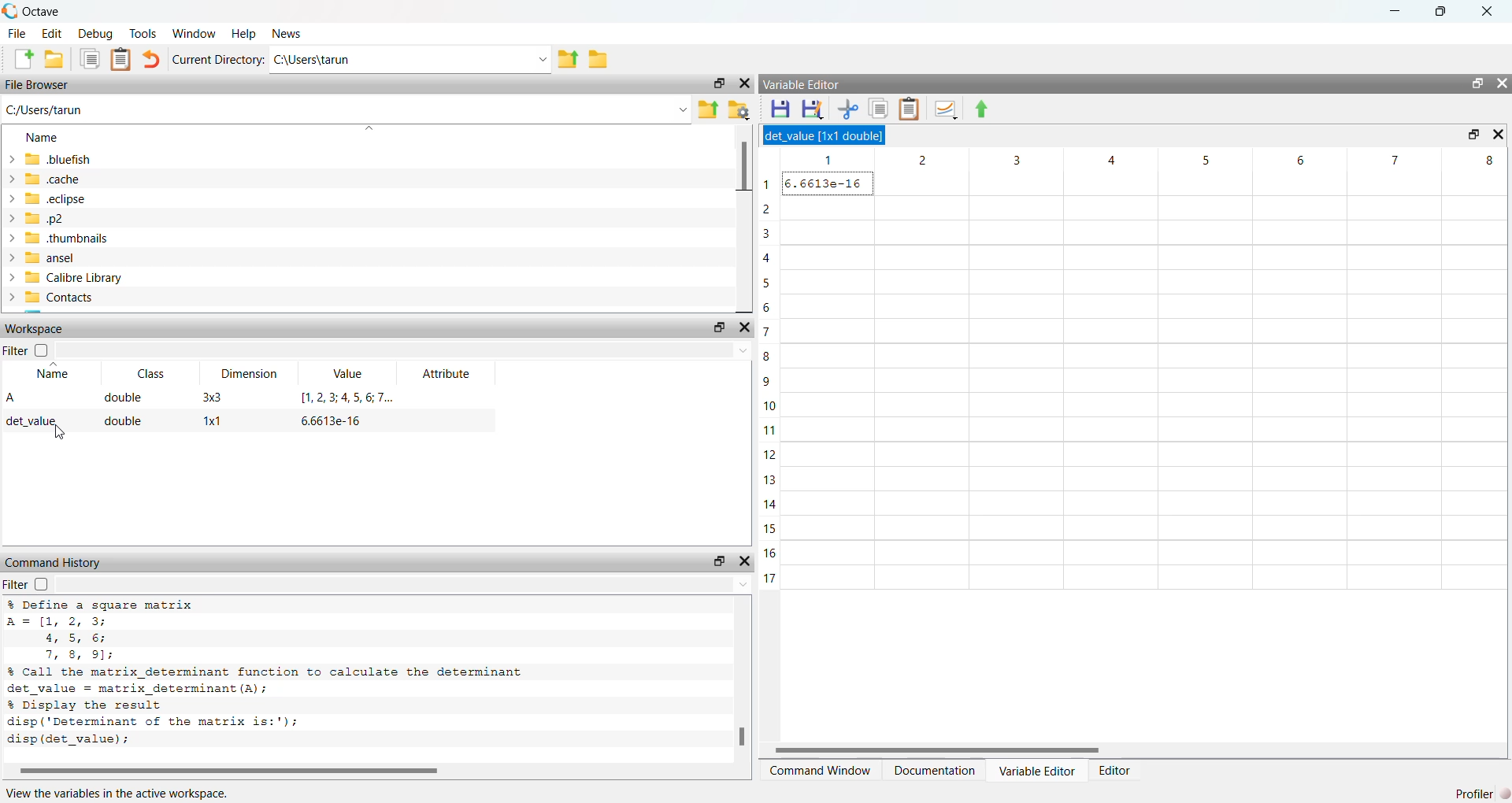 This screenshot has width=1512, height=803. I want to click on scrollbar, so click(741, 216).